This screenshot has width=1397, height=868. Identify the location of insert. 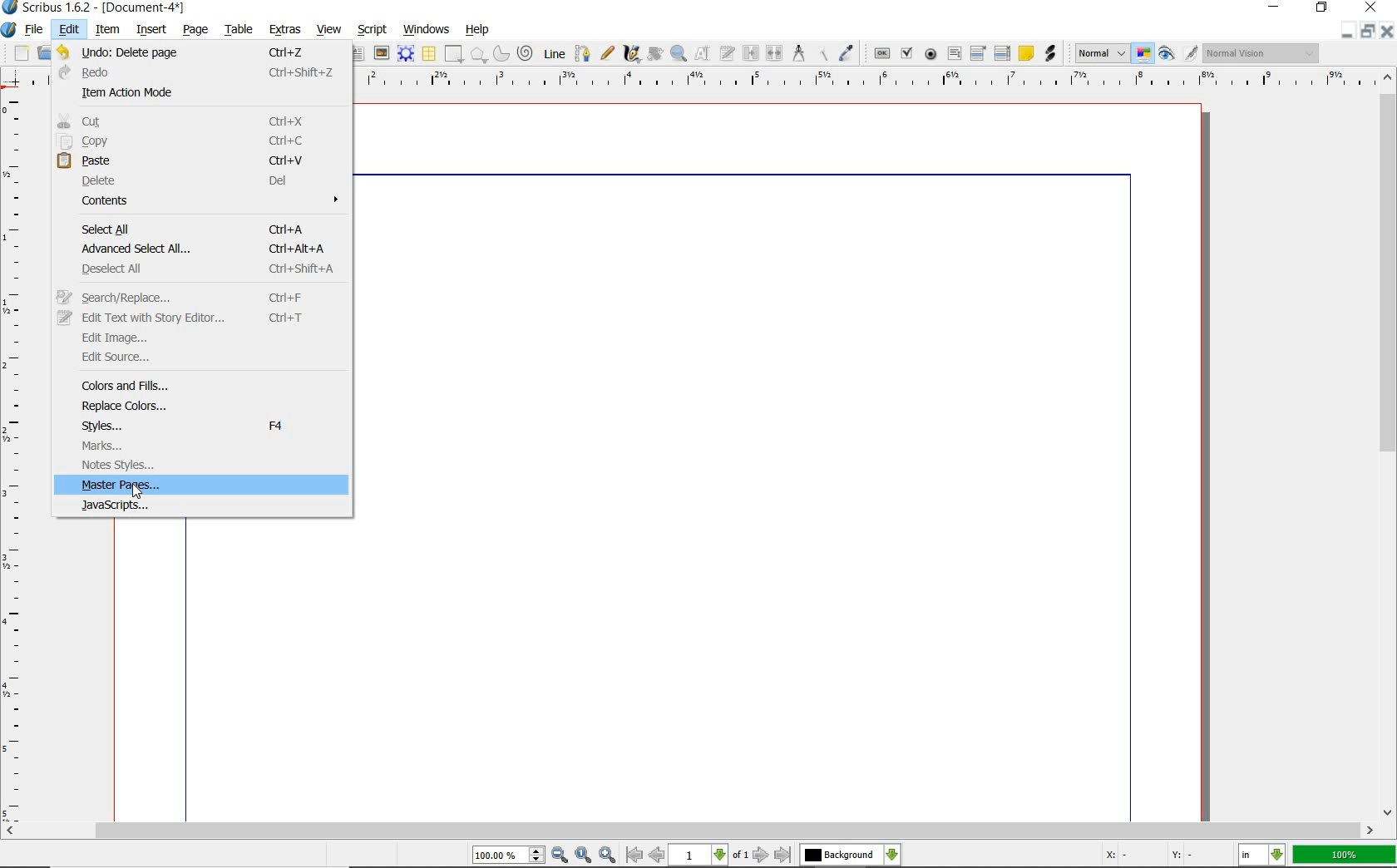
(151, 29).